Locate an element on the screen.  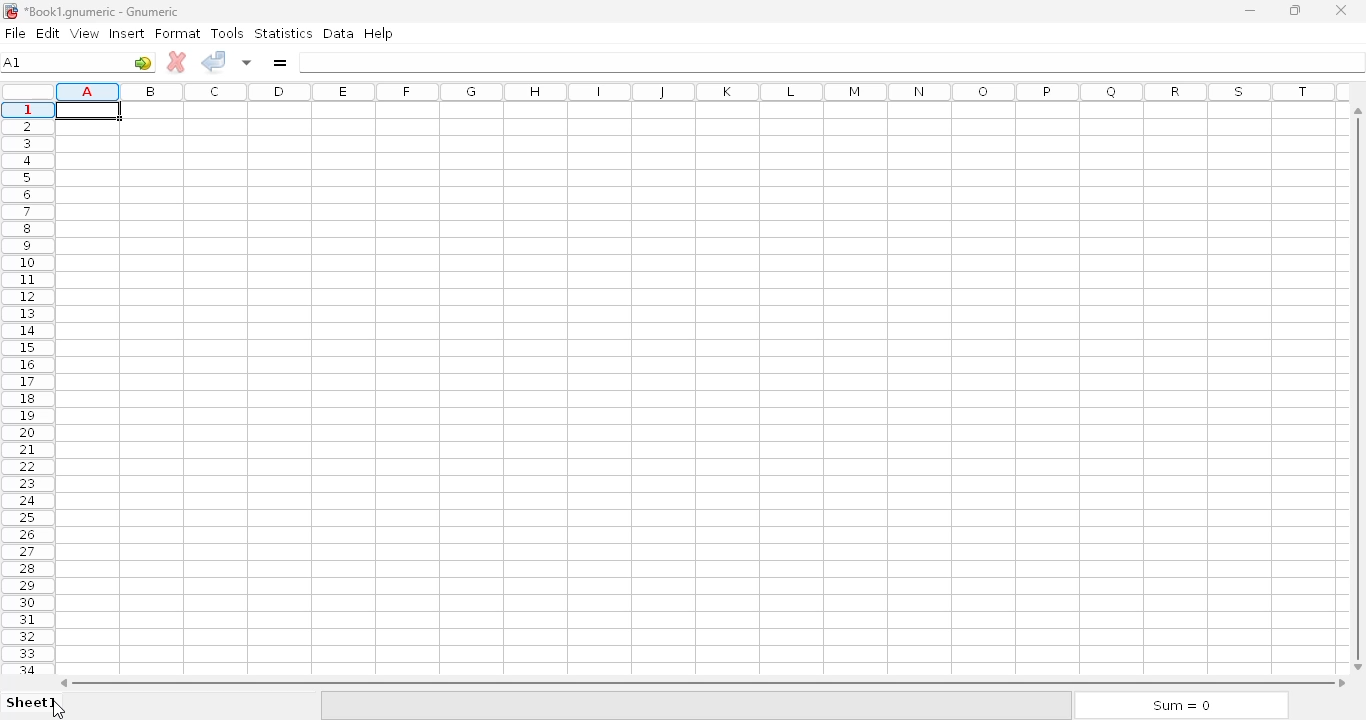
enter formula is located at coordinates (280, 63).